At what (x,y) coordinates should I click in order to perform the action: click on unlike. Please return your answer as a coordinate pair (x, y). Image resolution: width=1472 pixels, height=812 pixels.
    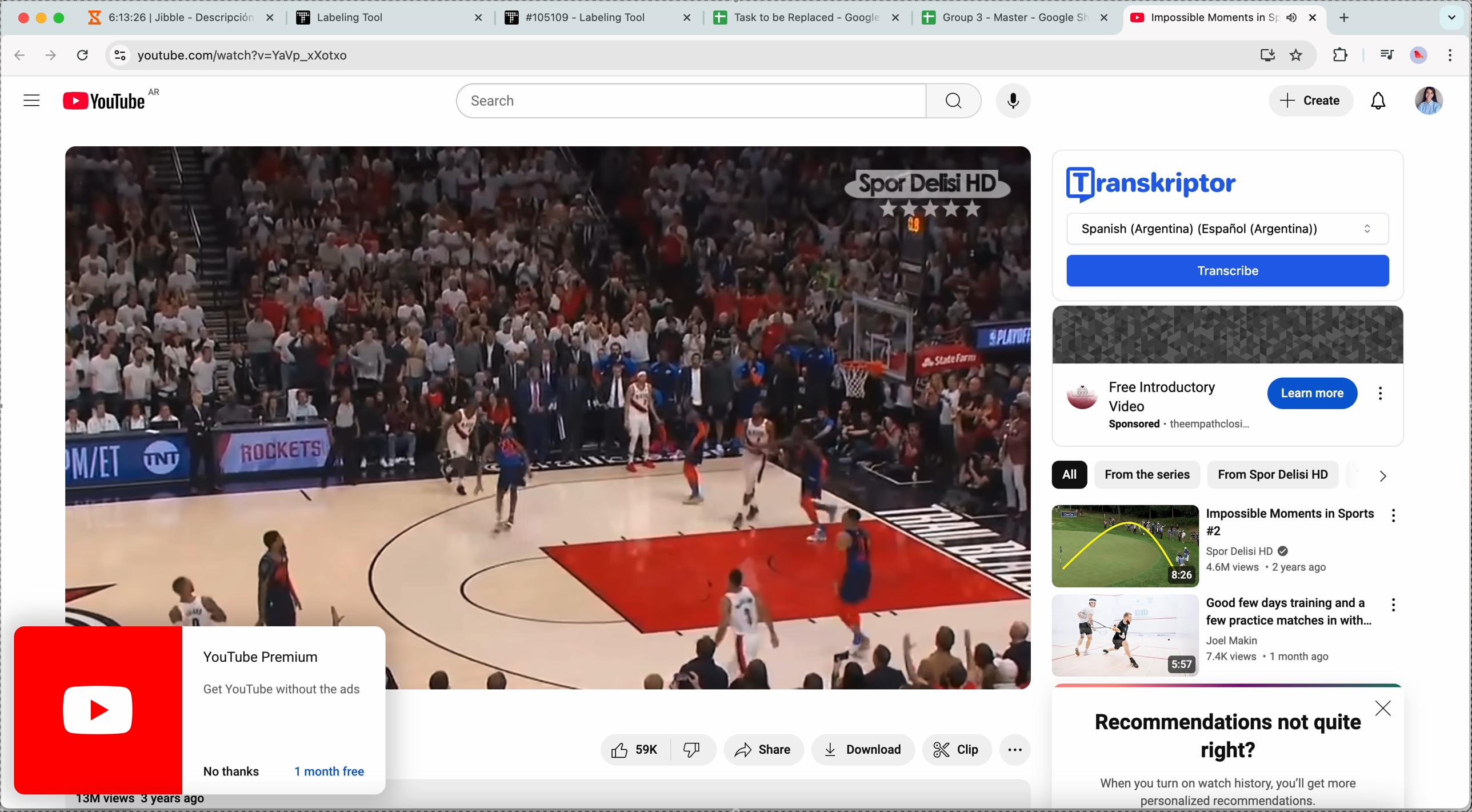
    Looking at the image, I should click on (697, 750).